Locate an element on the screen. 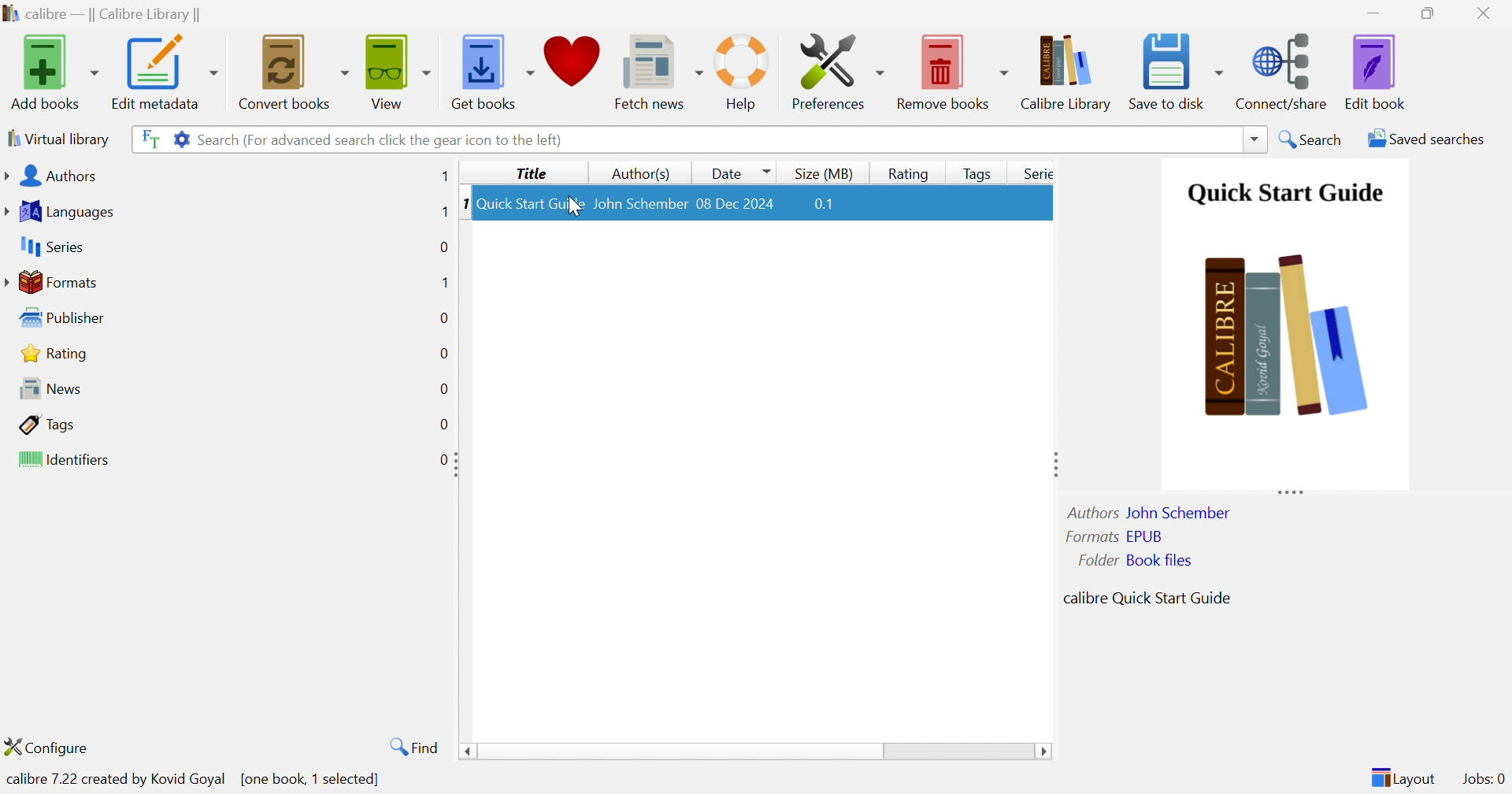 This screenshot has width=1512, height=794. Add books is located at coordinates (54, 70).